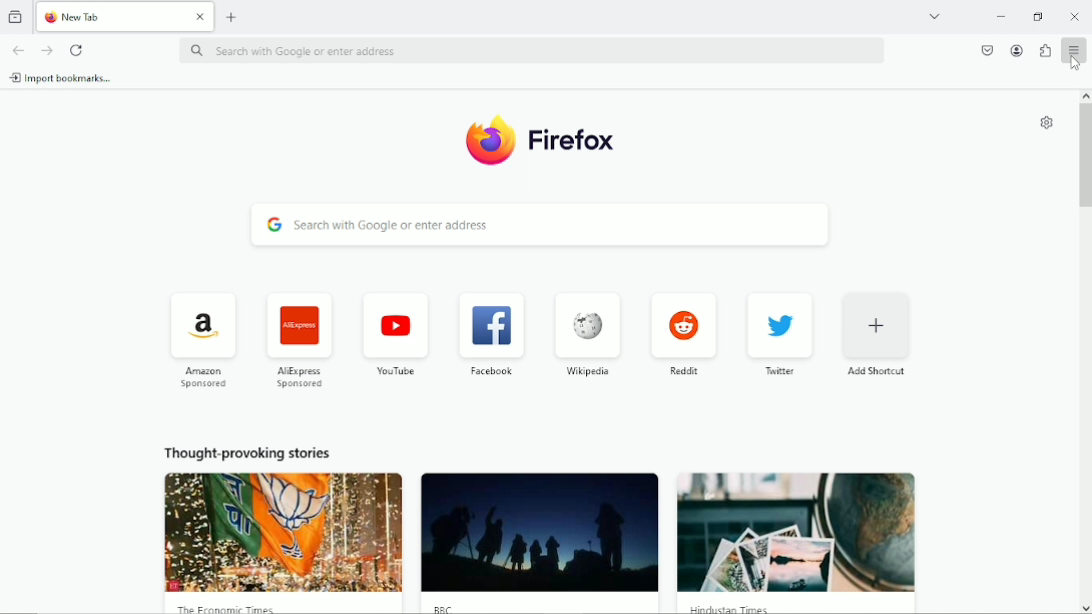 The image size is (1092, 614). I want to click on Youtube, so click(395, 333).